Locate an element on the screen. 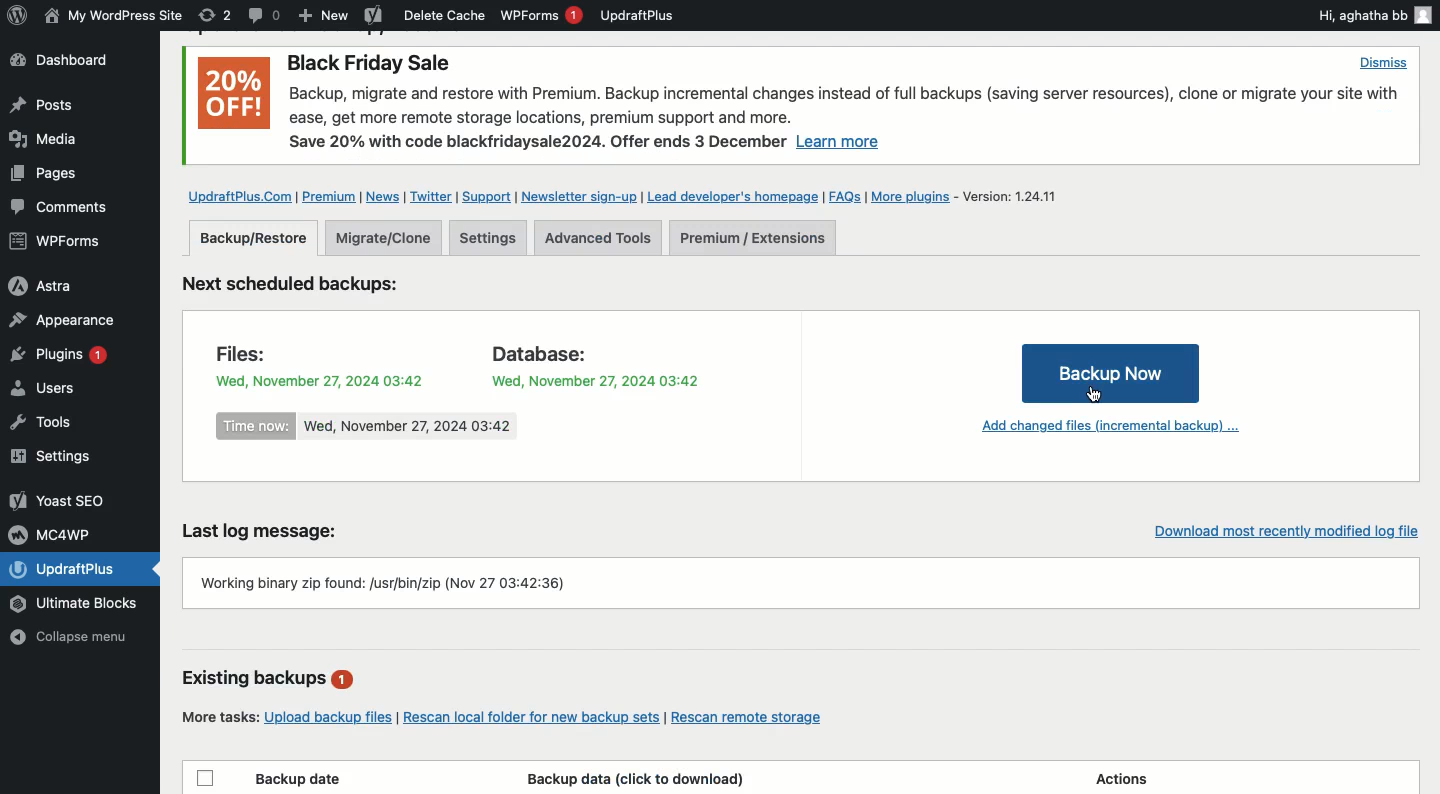 This screenshot has height=794, width=1440. Migrate clone is located at coordinates (382, 237).